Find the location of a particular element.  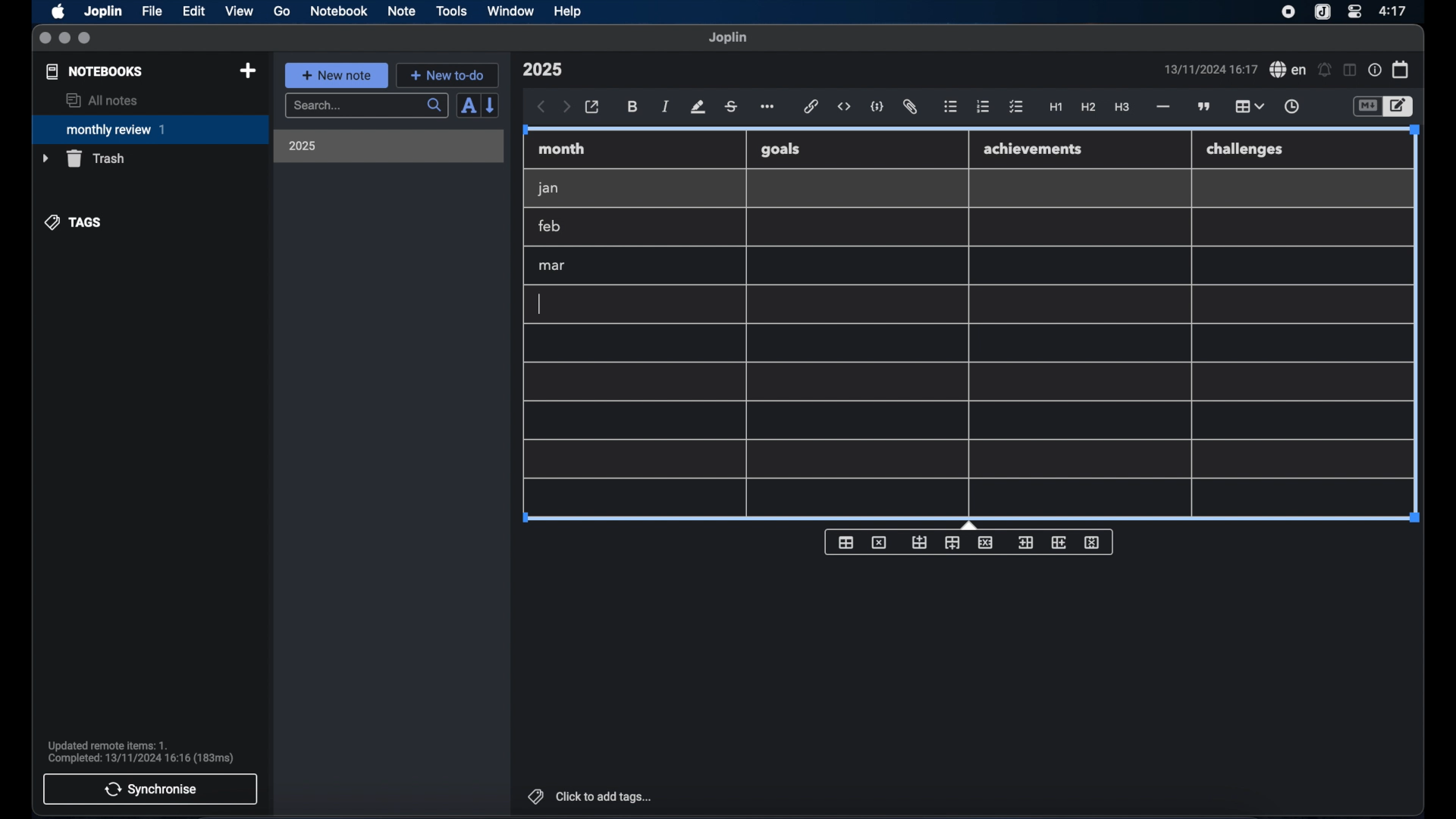

tags is located at coordinates (74, 222).